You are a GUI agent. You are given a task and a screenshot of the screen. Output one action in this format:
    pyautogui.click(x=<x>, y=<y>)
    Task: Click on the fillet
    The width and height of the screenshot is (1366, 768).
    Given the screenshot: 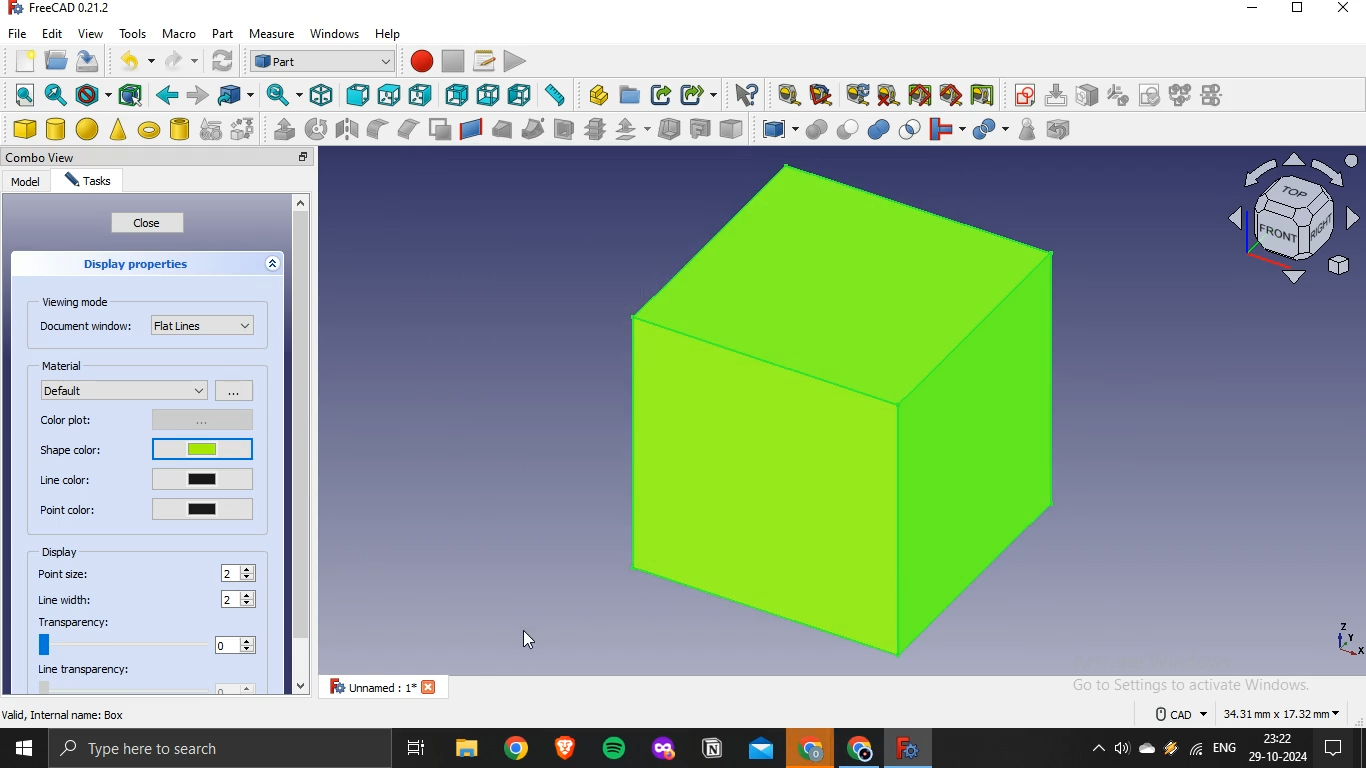 What is the action you would take?
    pyautogui.click(x=379, y=129)
    